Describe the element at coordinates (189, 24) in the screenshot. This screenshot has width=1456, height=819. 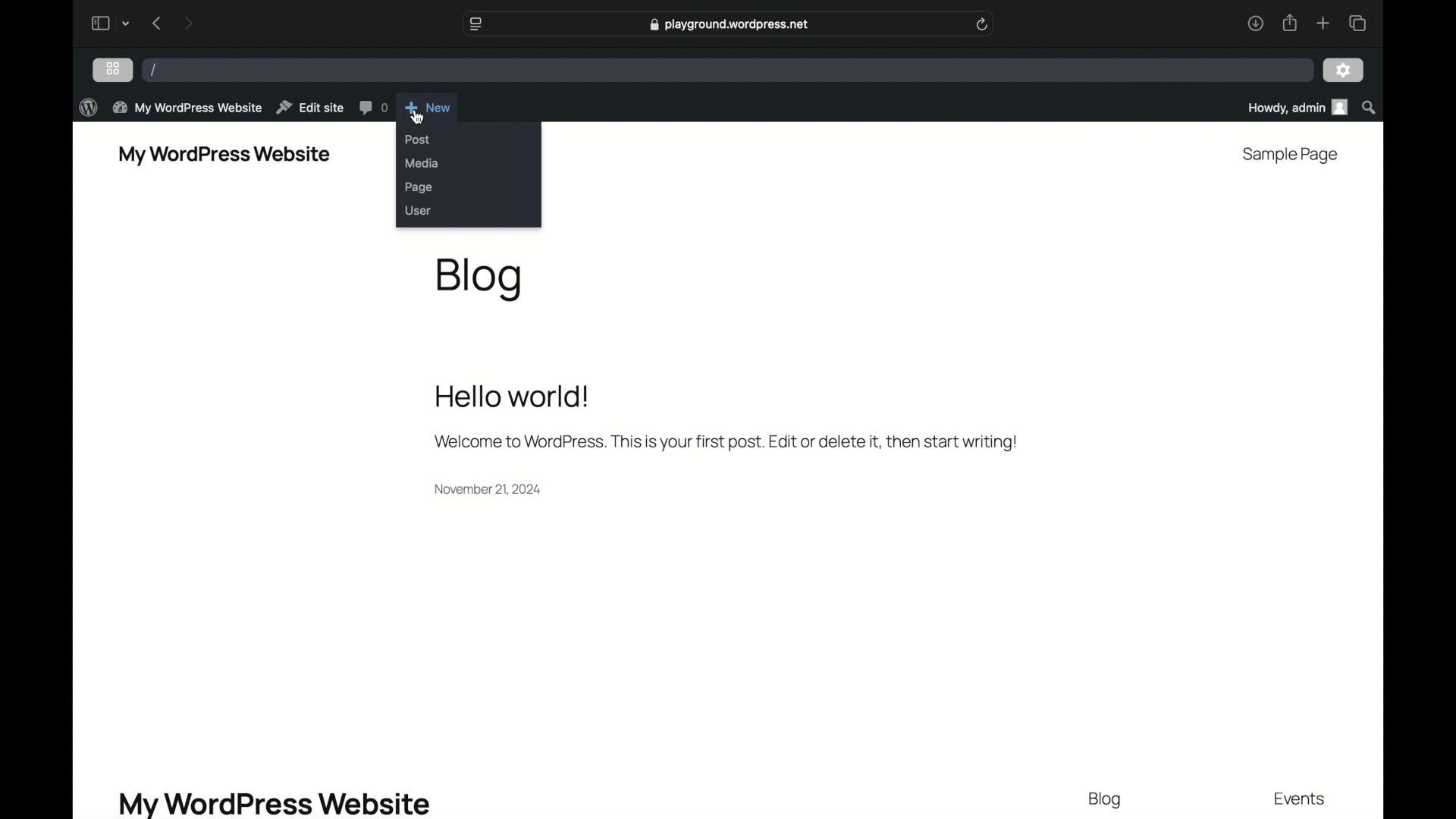
I see `next page` at that location.